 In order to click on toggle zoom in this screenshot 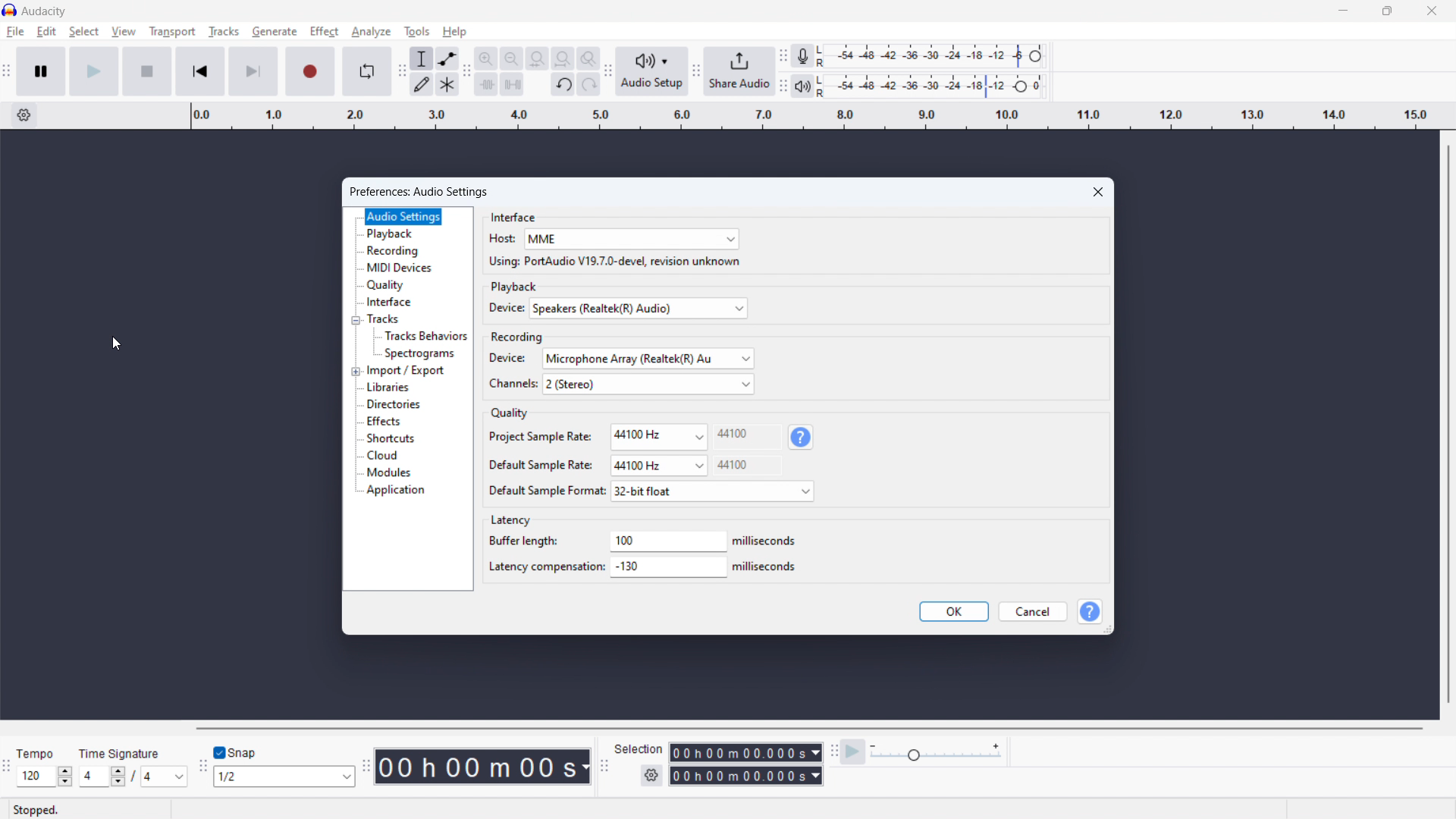, I will do `click(588, 58)`.